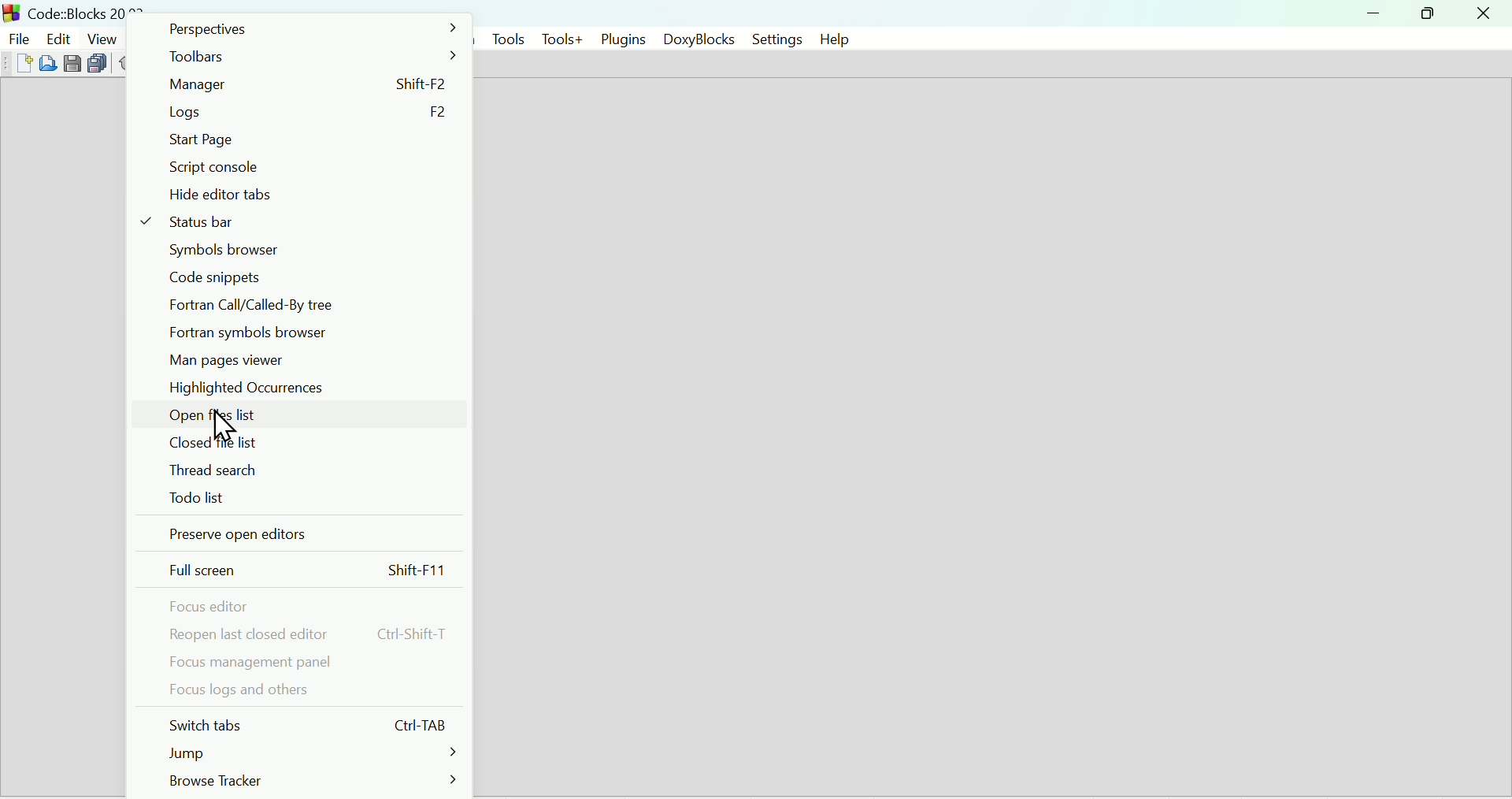  What do you see at coordinates (13, 12) in the screenshot?
I see `Code Blocks Desktop icon` at bounding box center [13, 12].